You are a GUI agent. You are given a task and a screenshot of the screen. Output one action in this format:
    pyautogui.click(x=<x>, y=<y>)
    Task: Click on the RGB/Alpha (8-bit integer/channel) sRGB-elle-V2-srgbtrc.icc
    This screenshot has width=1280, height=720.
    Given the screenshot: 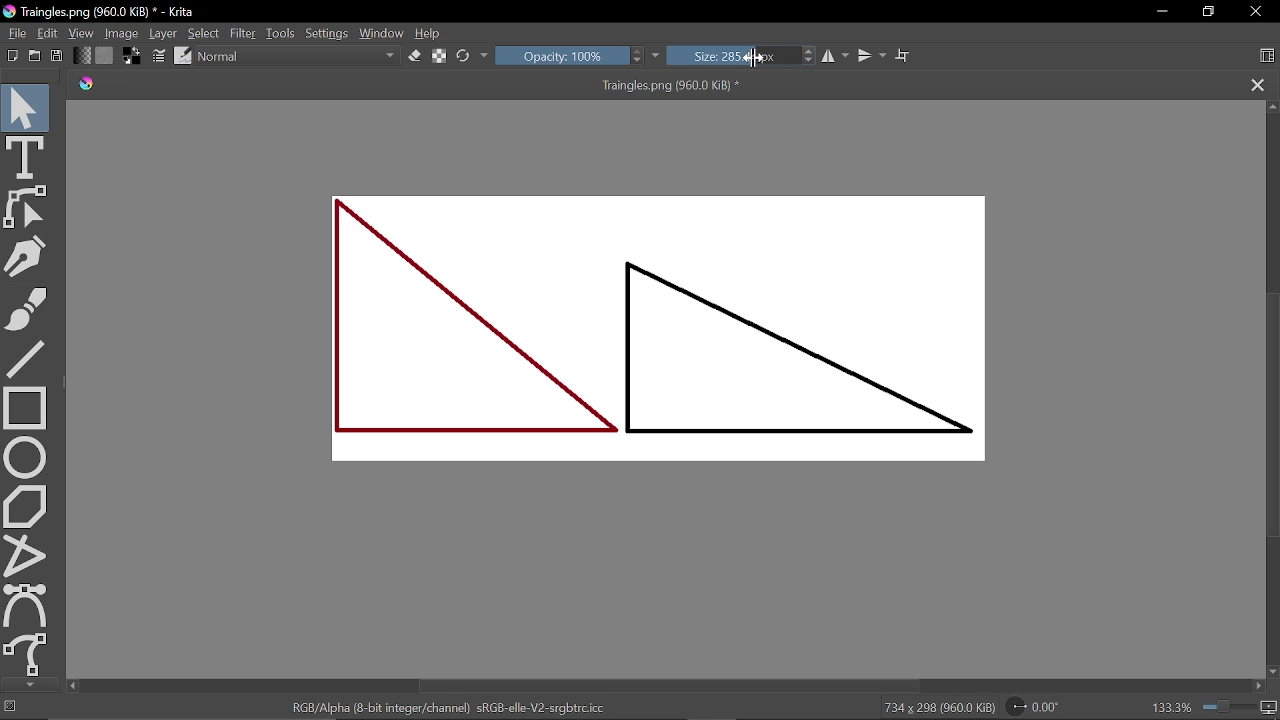 What is the action you would take?
    pyautogui.click(x=444, y=706)
    